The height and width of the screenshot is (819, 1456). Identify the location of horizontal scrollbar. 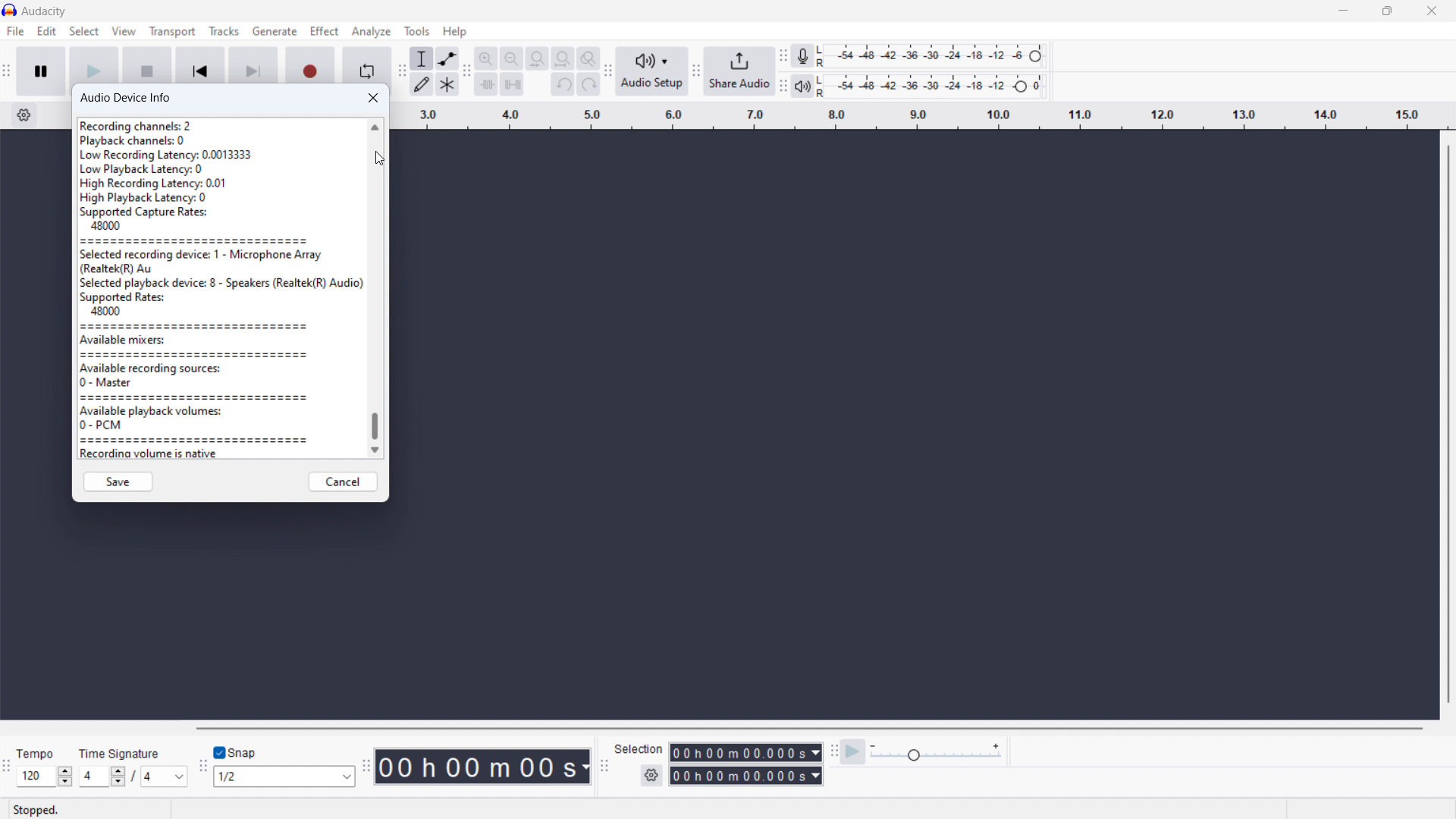
(805, 728).